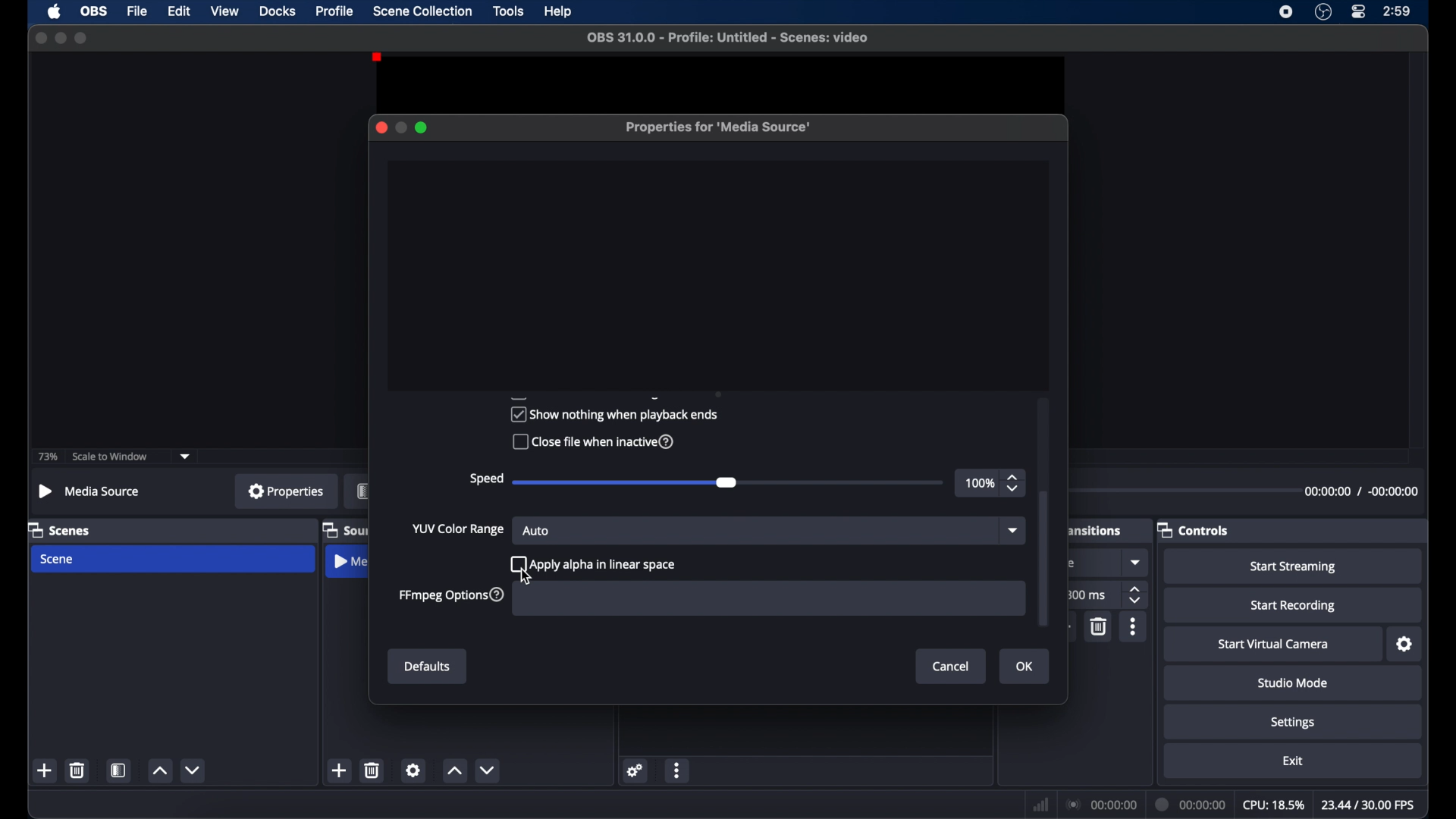 This screenshot has width=1456, height=819. Describe the element at coordinates (186, 457) in the screenshot. I see `dropdown` at that location.